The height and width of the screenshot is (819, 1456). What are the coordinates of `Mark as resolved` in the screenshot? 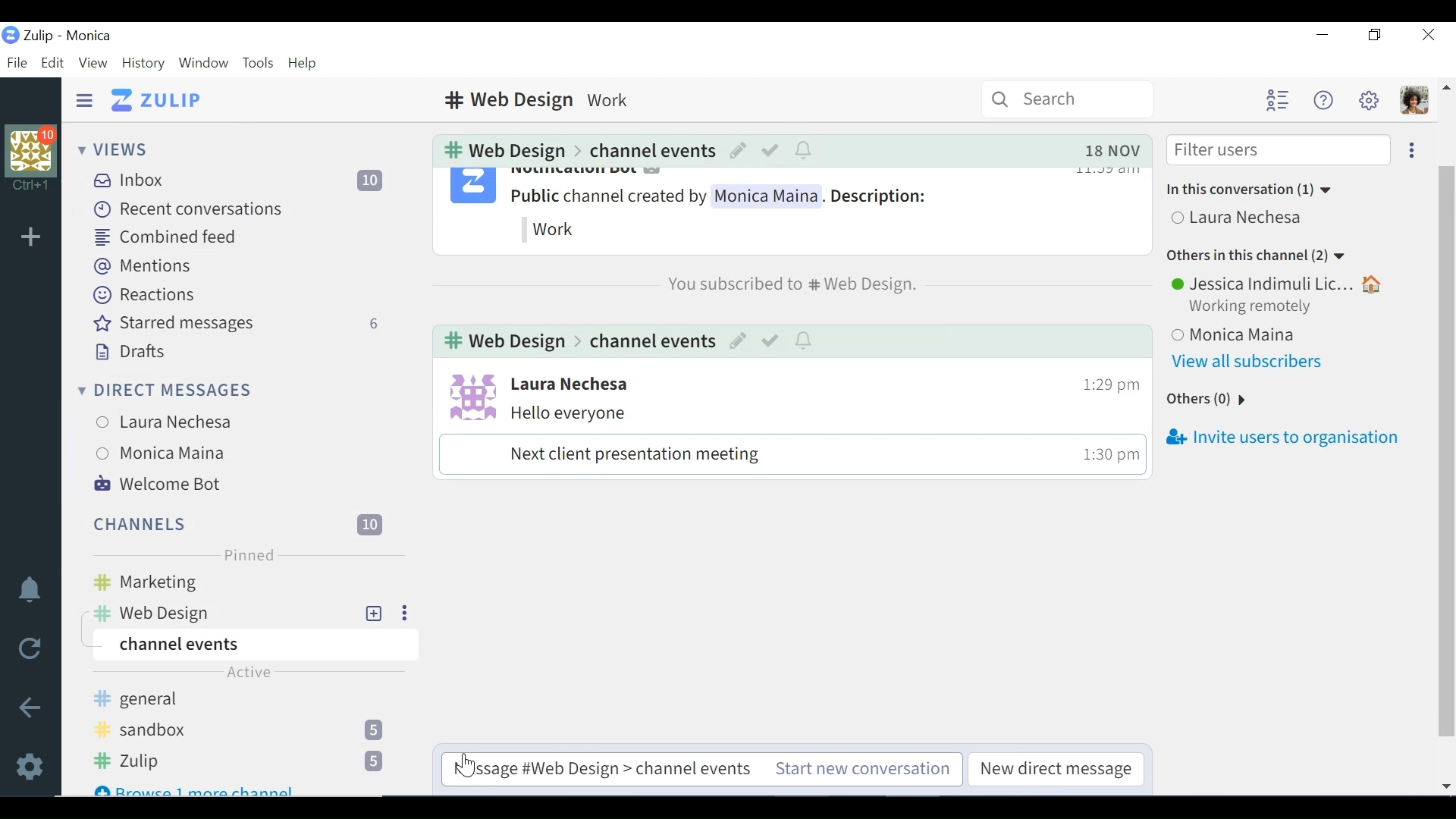 It's located at (771, 149).